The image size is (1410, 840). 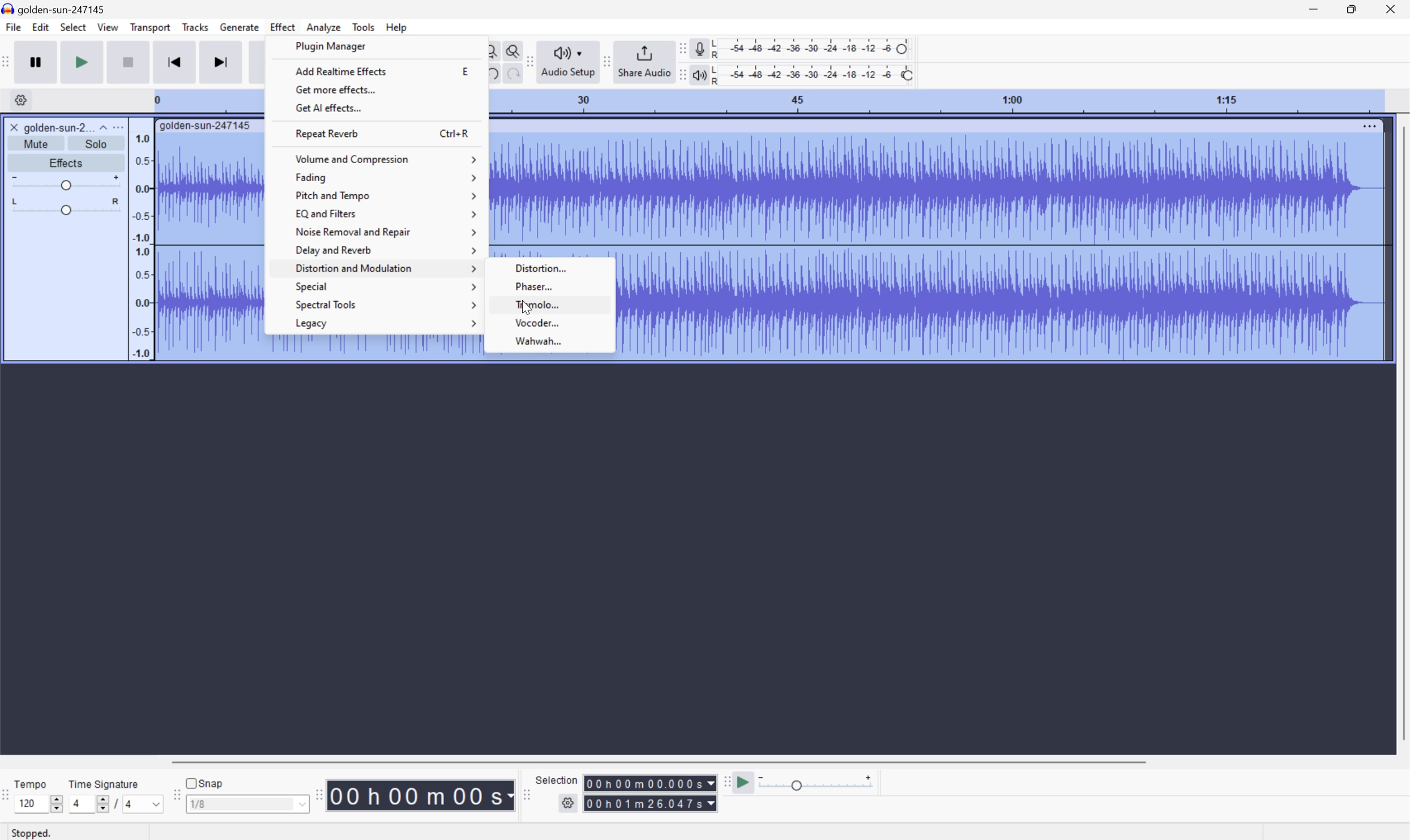 I want to click on 4, so click(x=87, y=804).